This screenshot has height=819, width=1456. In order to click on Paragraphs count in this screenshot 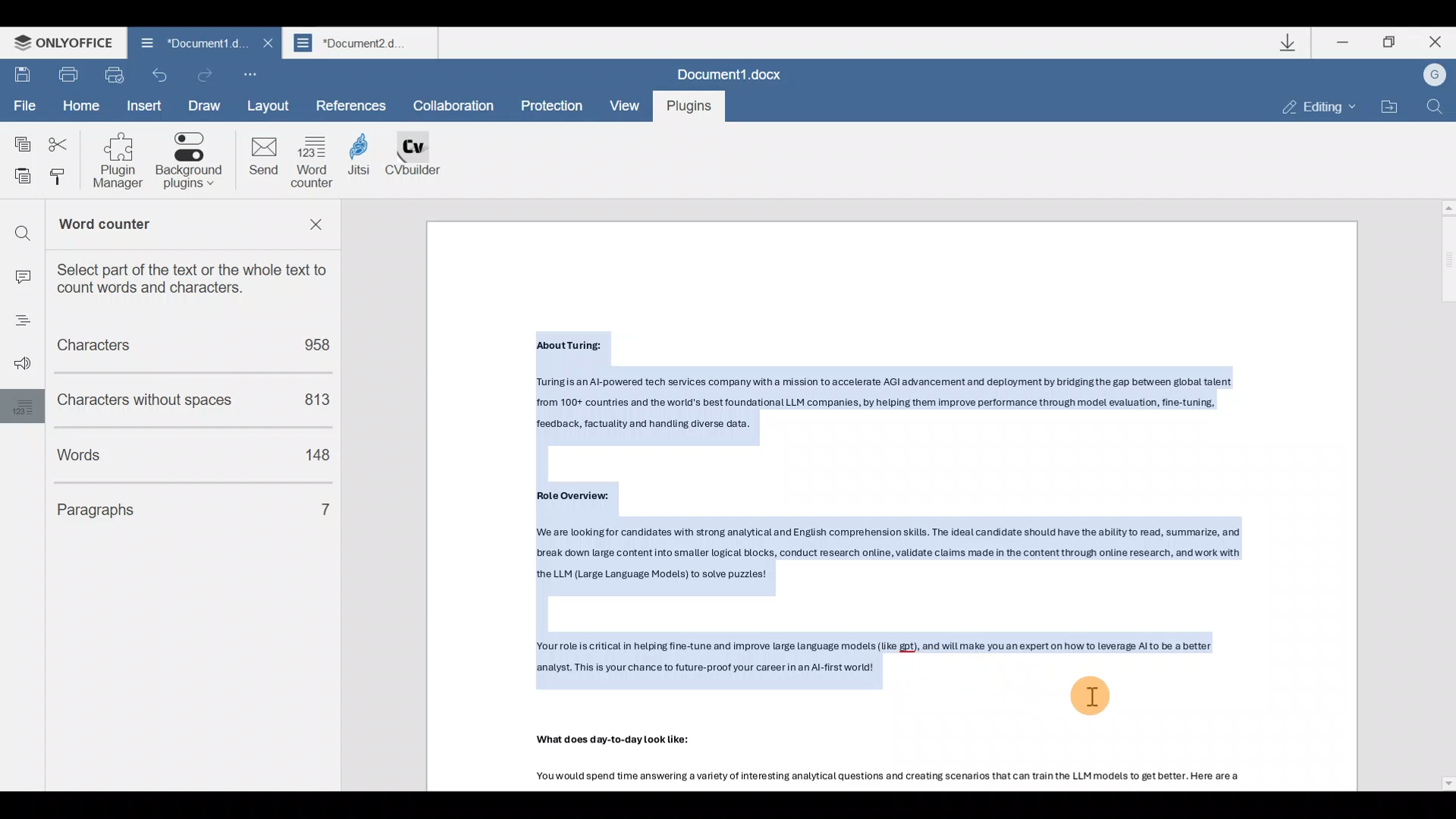, I will do `click(140, 506)`.